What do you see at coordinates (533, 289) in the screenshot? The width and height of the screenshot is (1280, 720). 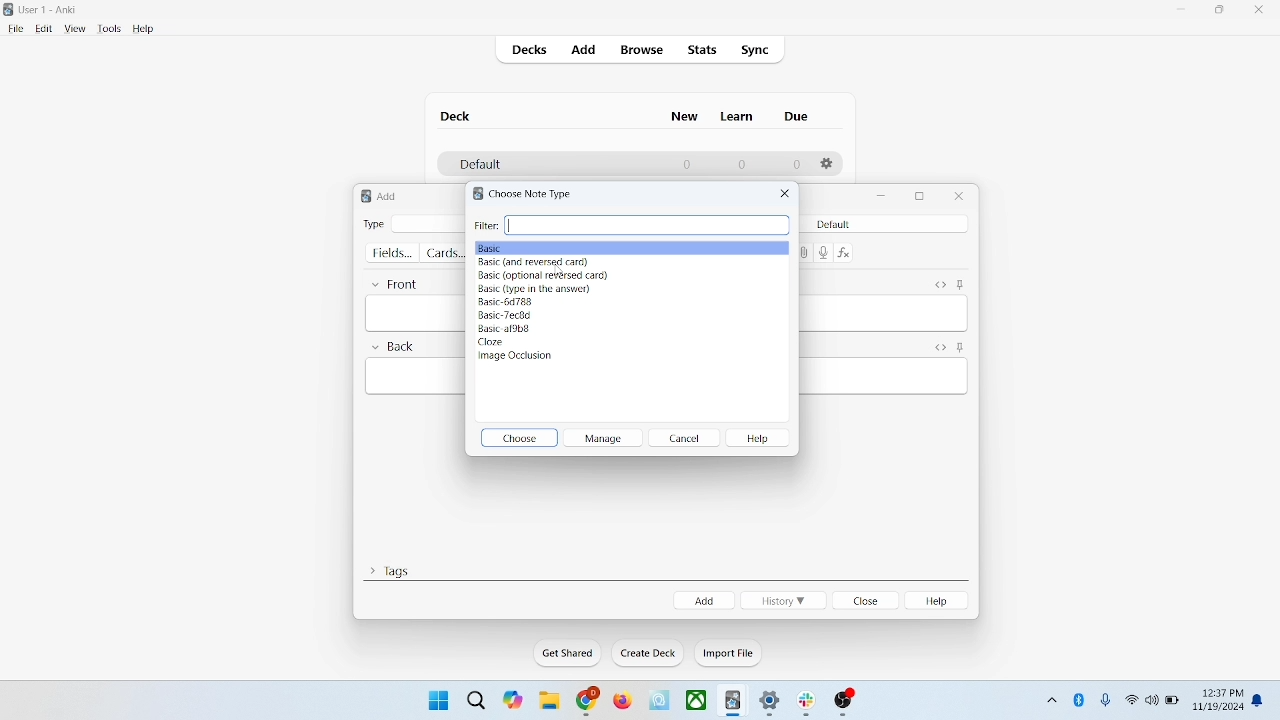 I see `Basic (type in the answer)` at bounding box center [533, 289].